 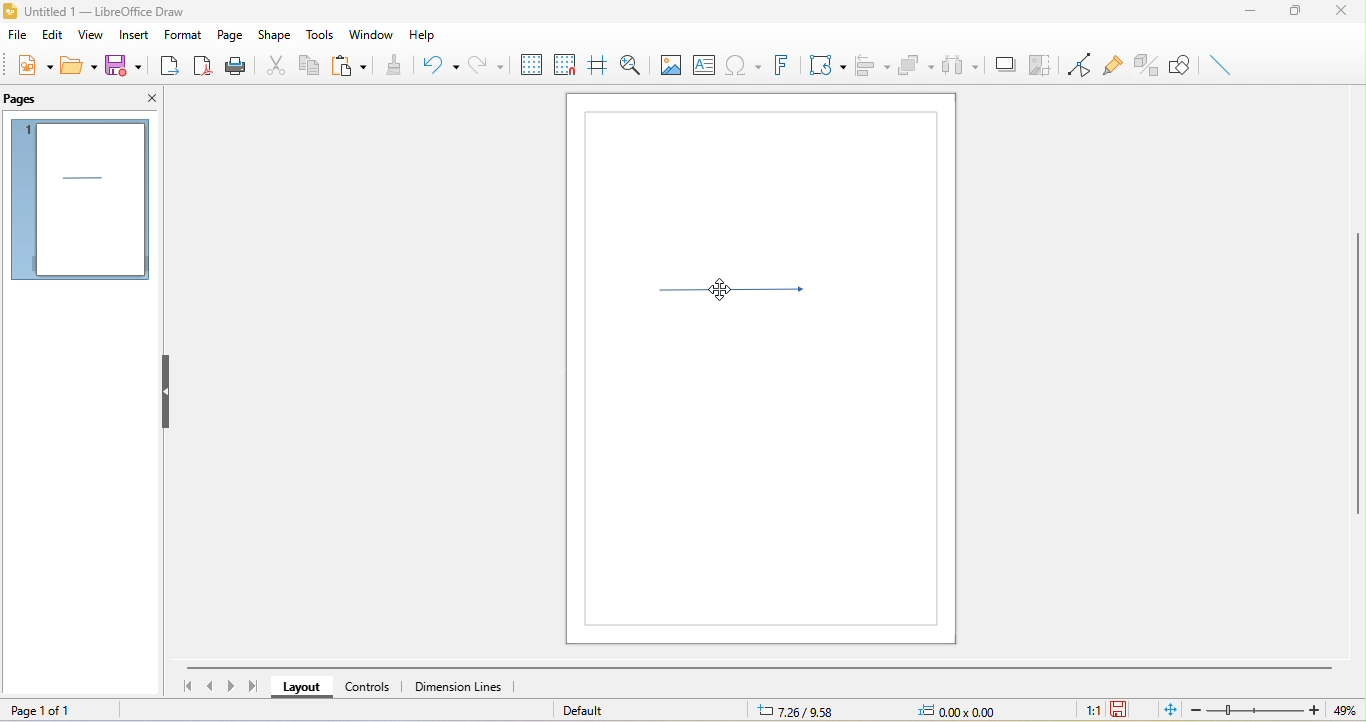 What do you see at coordinates (825, 66) in the screenshot?
I see `transformation` at bounding box center [825, 66].